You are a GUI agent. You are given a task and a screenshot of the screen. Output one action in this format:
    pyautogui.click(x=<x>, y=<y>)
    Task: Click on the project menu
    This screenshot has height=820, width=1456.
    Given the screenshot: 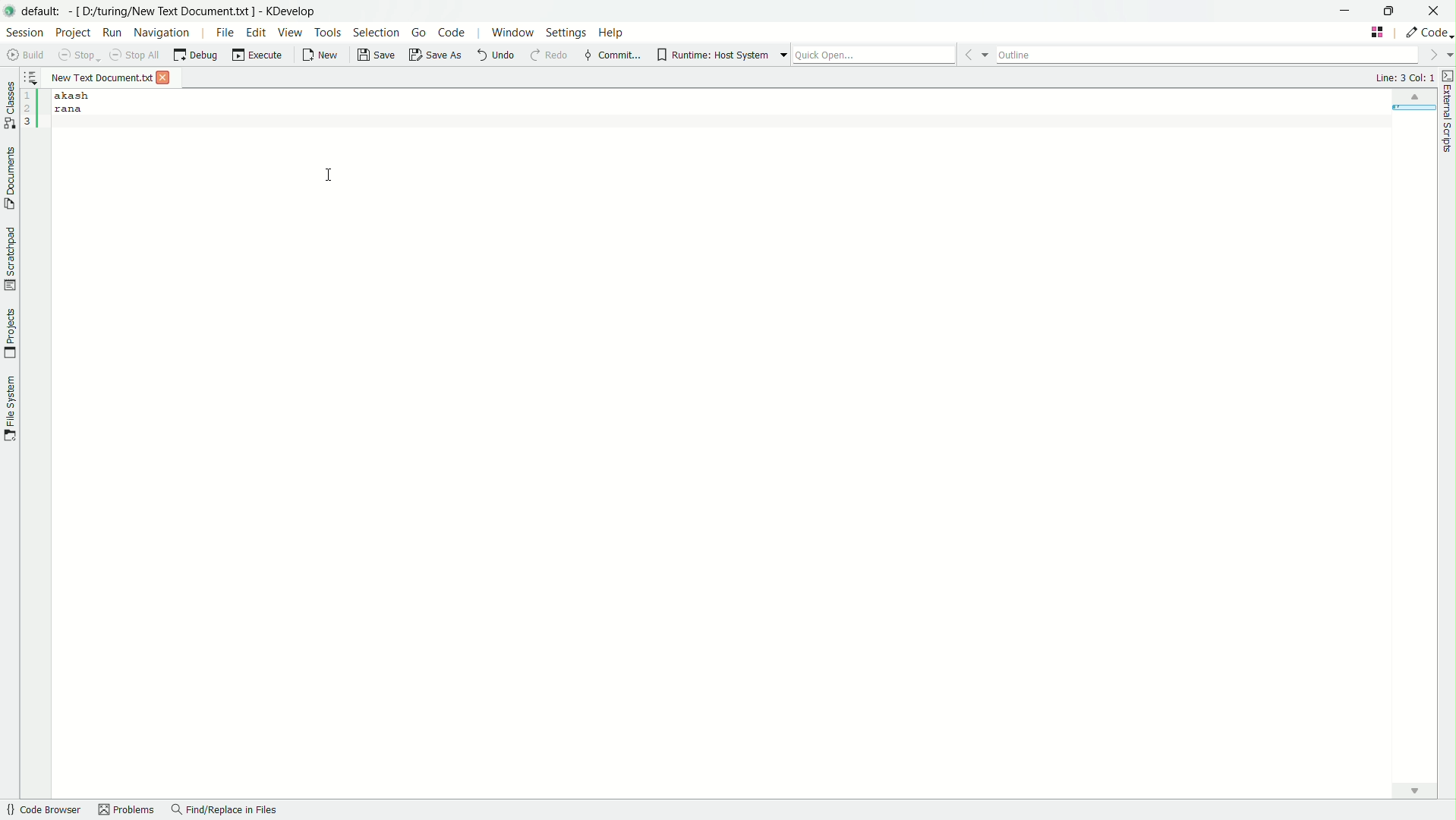 What is the action you would take?
    pyautogui.click(x=72, y=32)
    